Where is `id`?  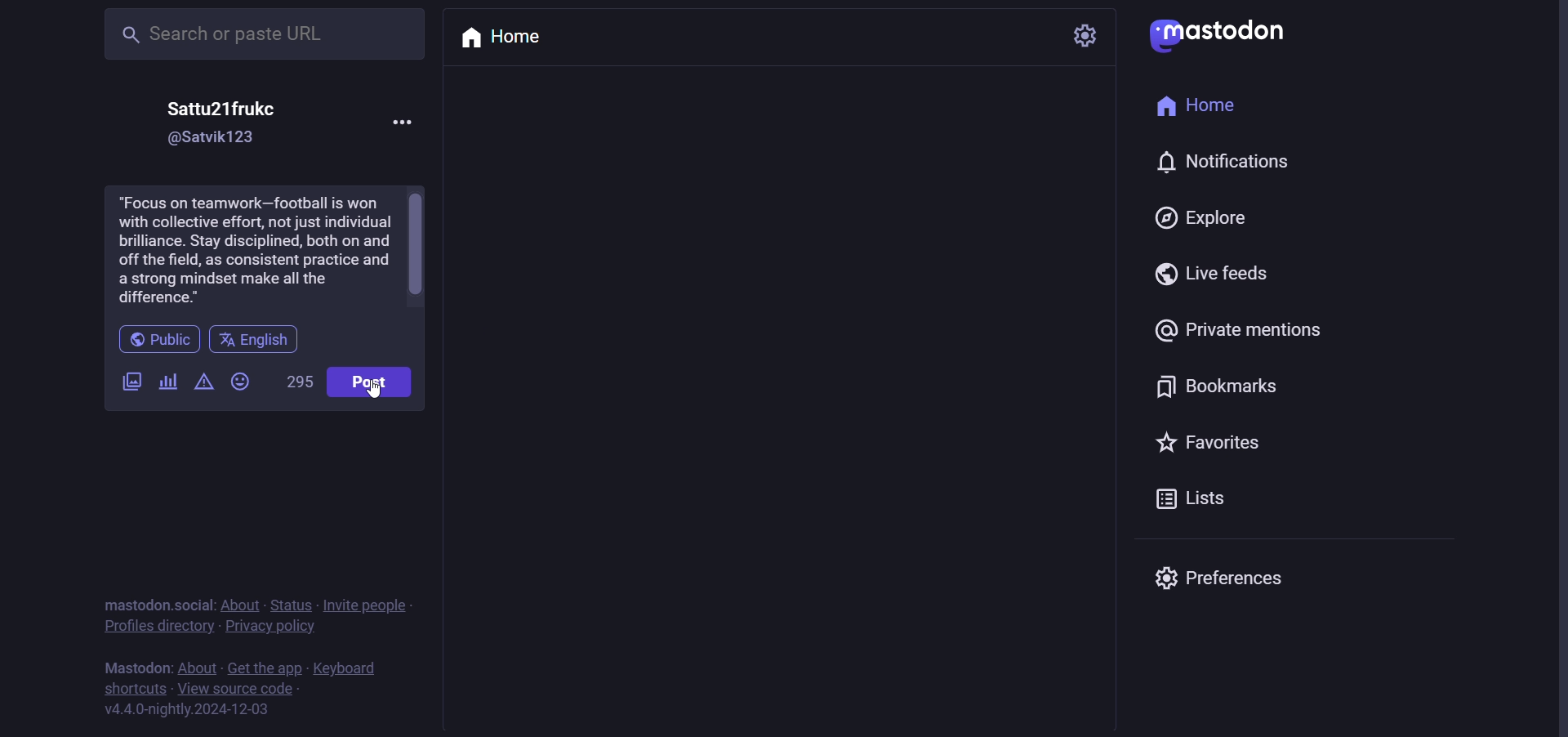 id is located at coordinates (212, 140).